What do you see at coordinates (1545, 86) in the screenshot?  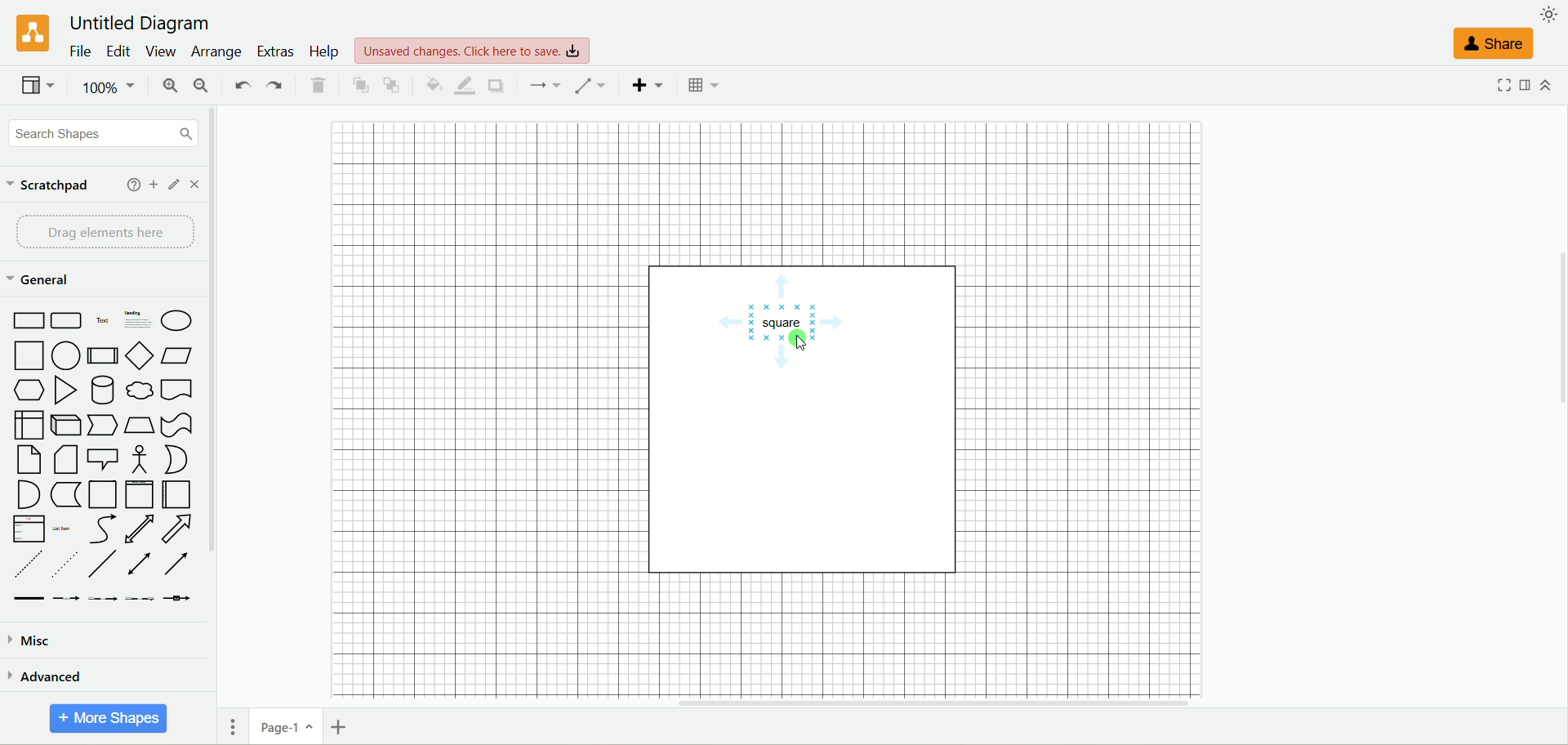 I see `collapse/expand` at bounding box center [1545, 86].